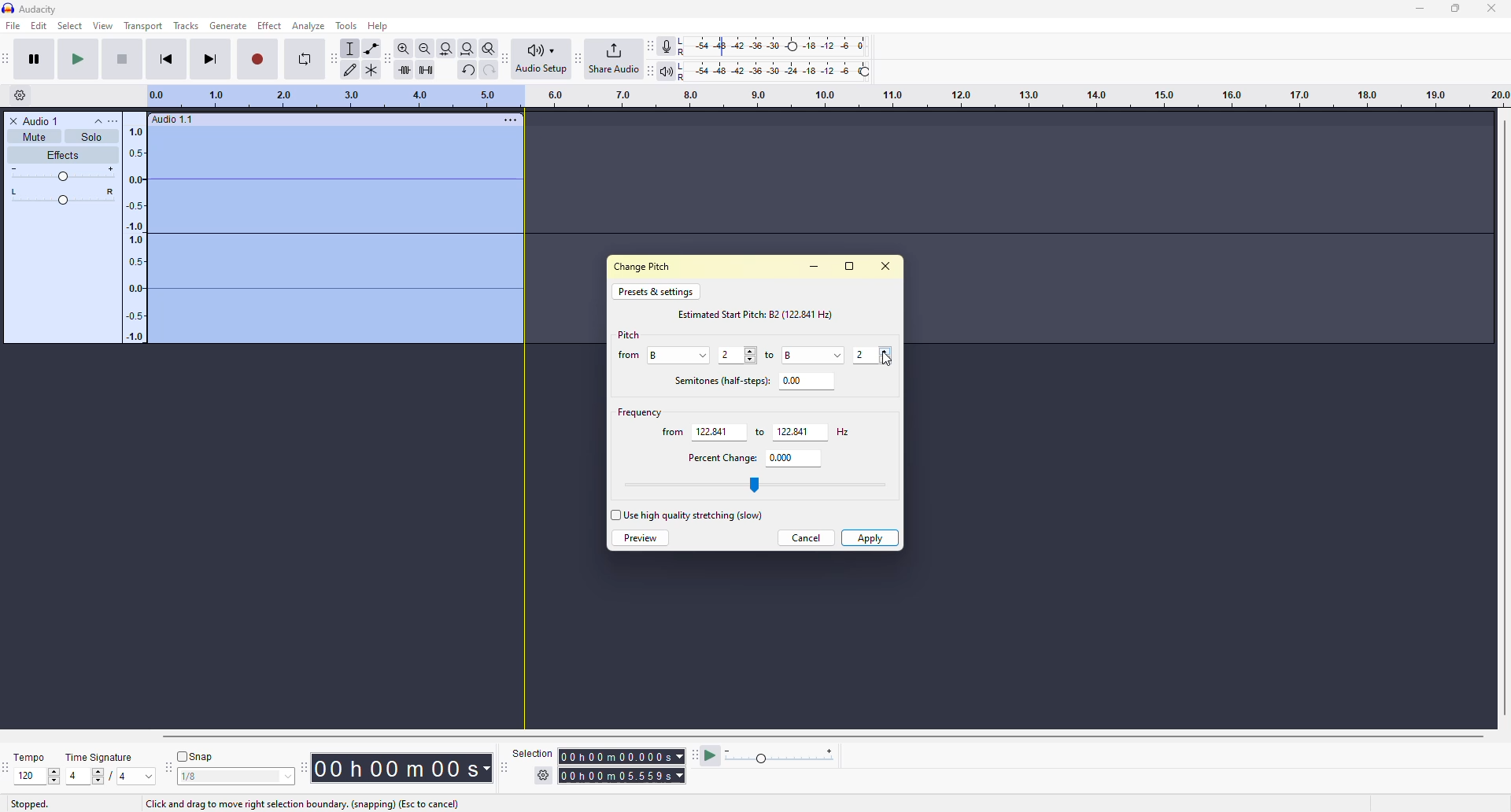  I want to click on playback level, so click(773, 69).